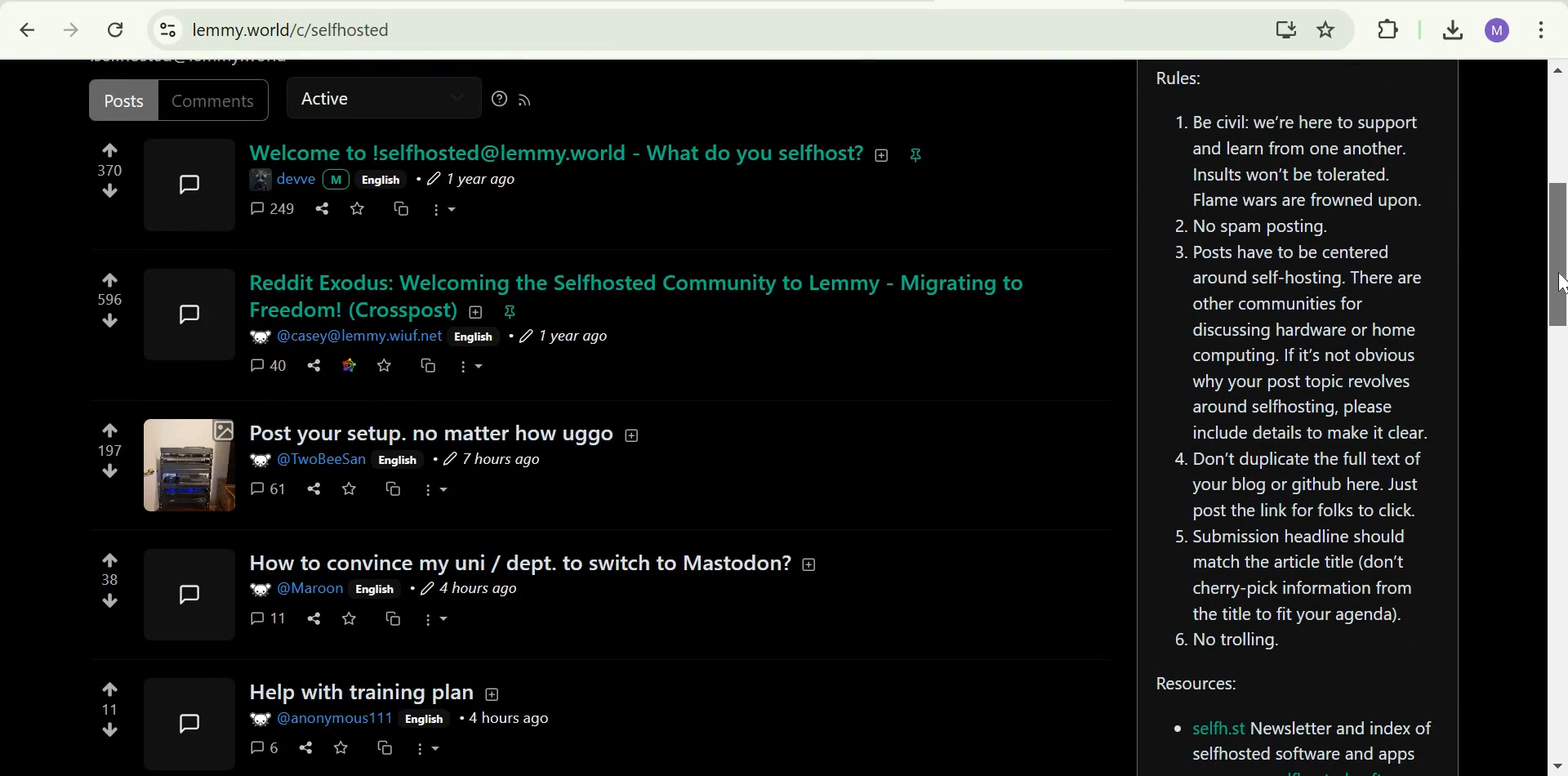 The image size is (1568, 776). I want to click on User ID, so click(326, 457).